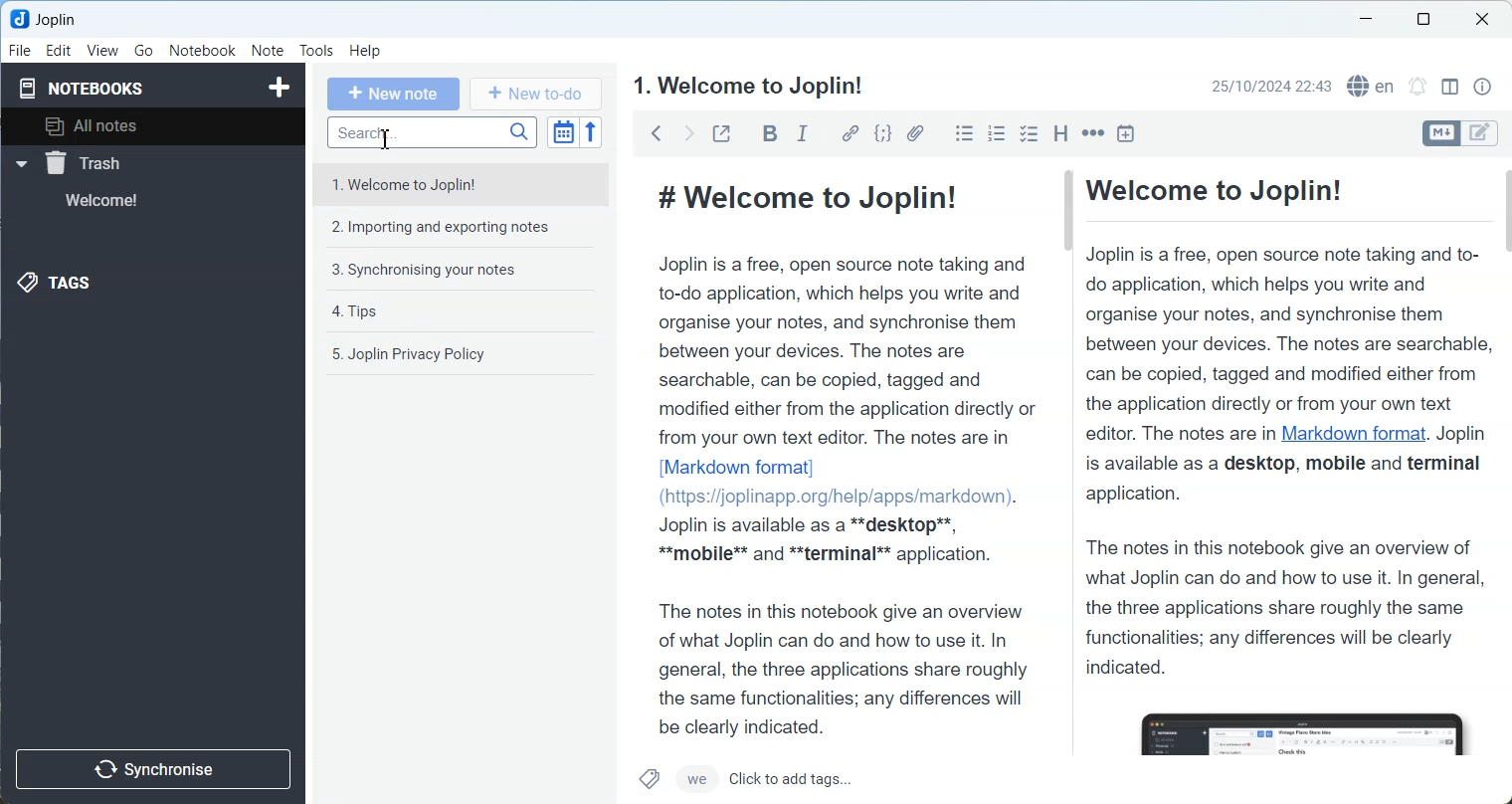 This screenshot has width=1512, height=804. I want to click on New to-do, so click(533, 94).